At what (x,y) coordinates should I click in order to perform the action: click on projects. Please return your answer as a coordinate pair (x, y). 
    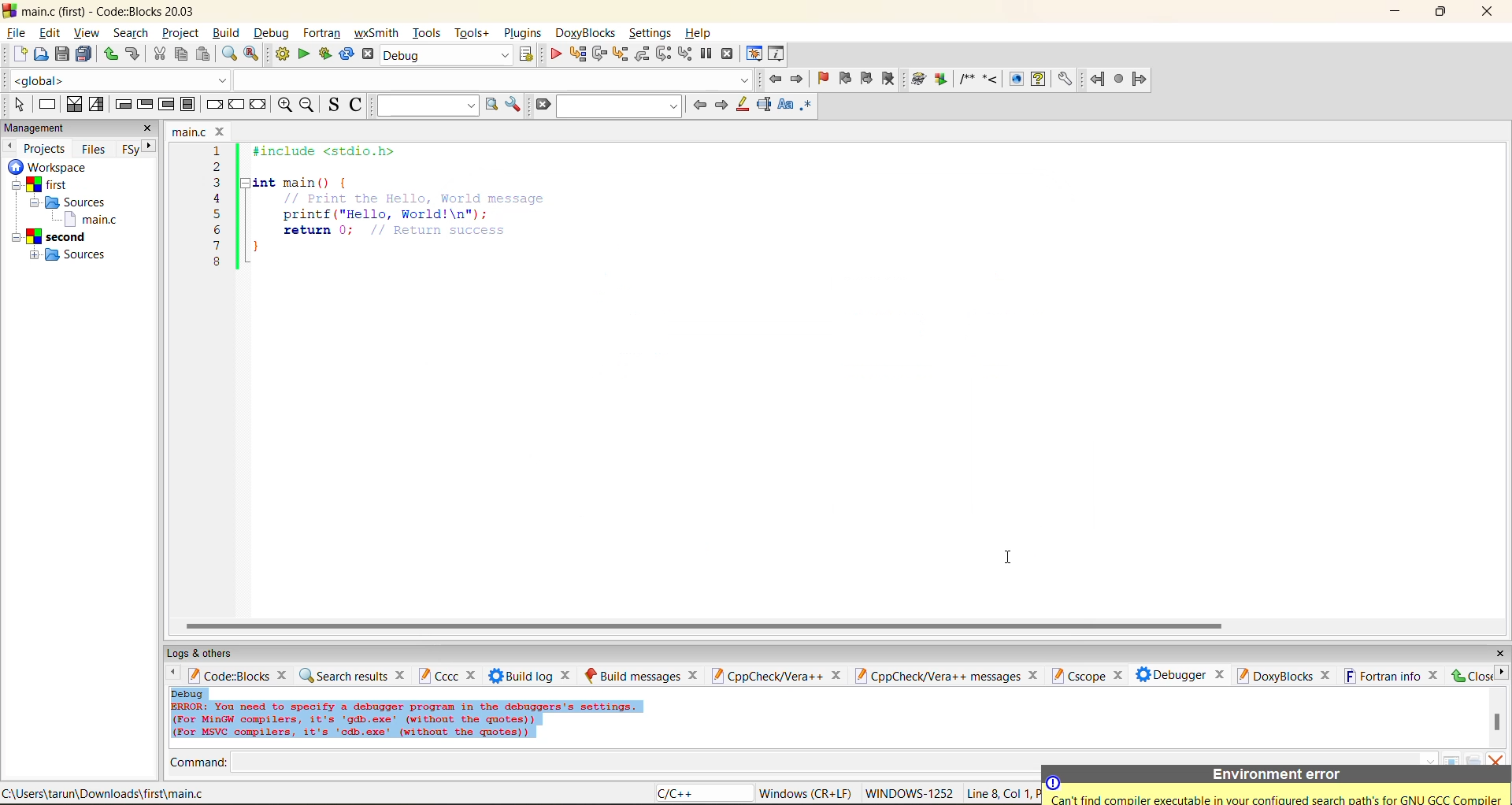
    Looking at the image, I should click on (46, 148).